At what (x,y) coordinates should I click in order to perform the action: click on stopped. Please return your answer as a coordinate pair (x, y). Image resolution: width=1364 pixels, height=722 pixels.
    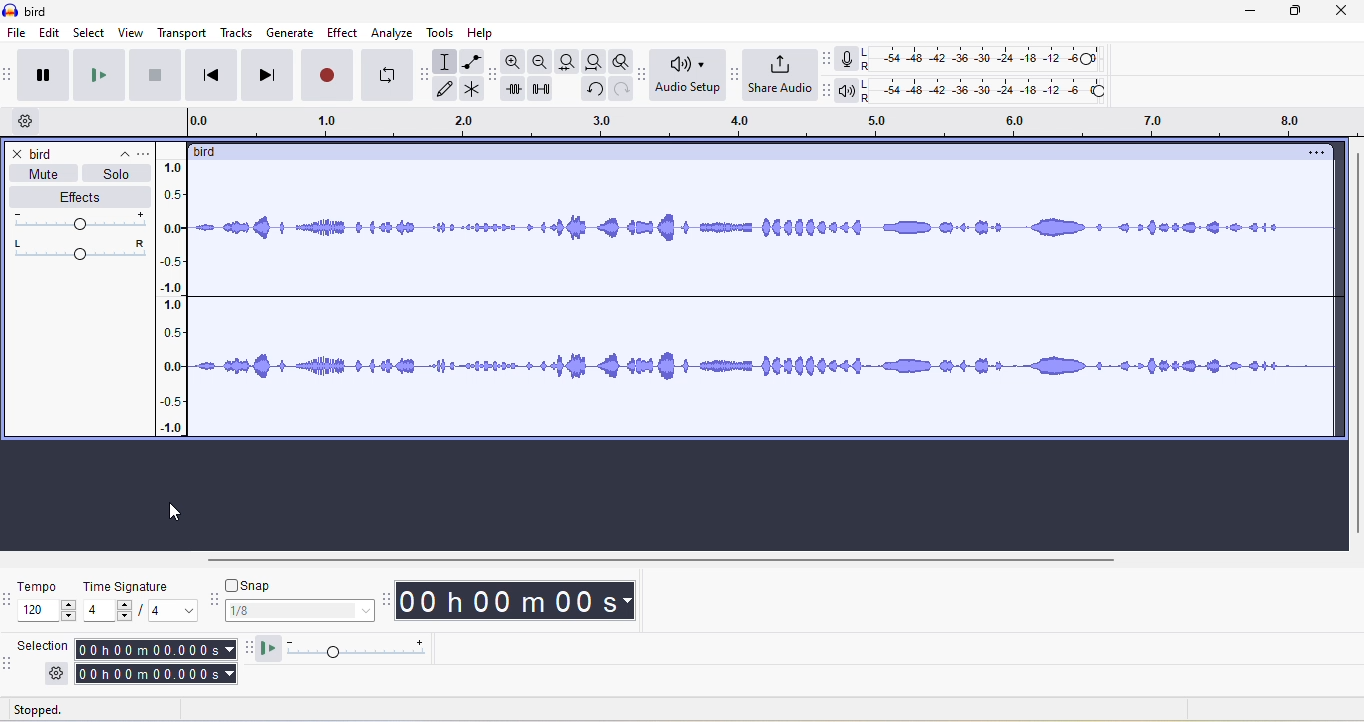
    Looking at the image, I should click on (59, 711).